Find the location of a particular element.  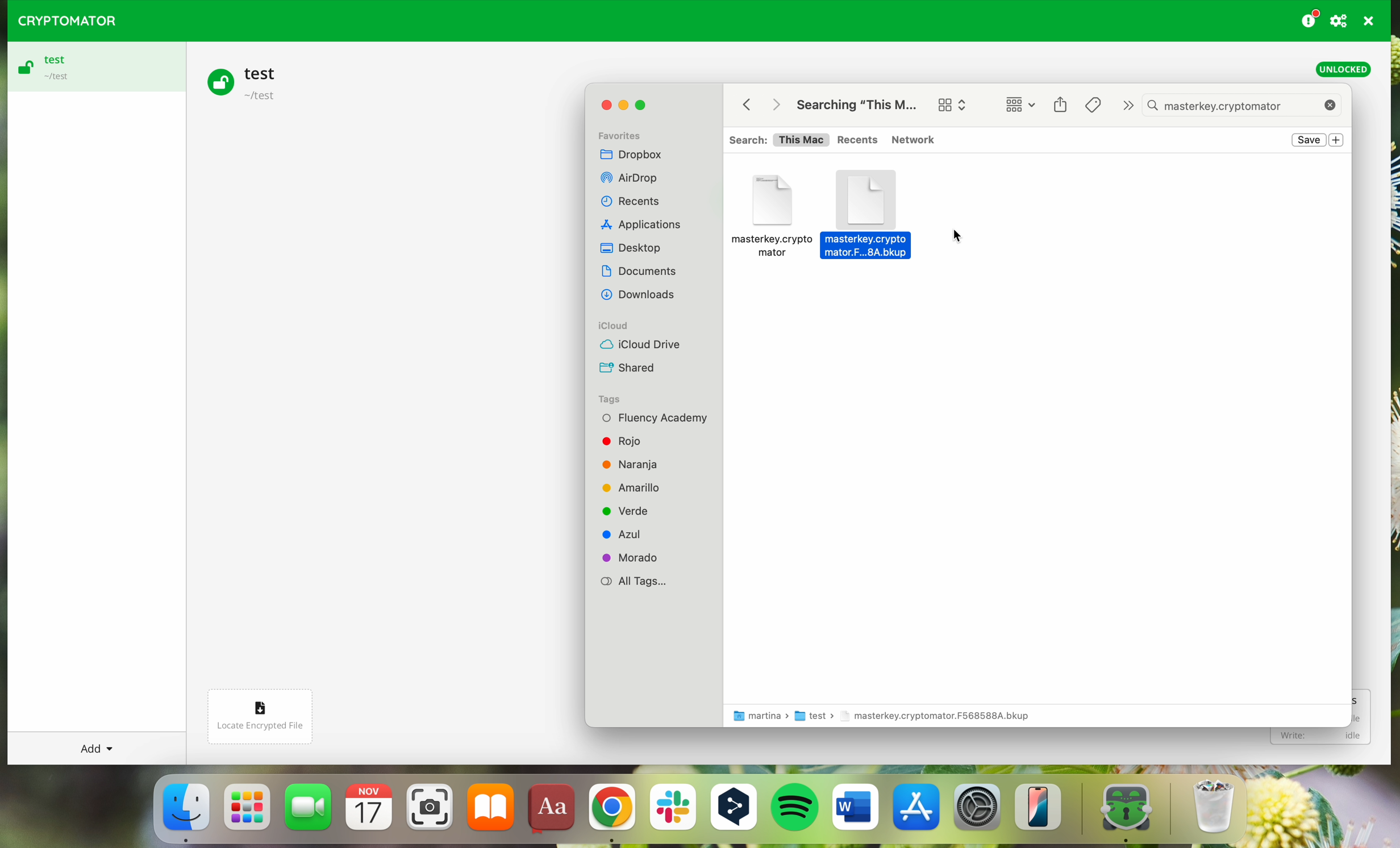

masterkey.cryptomator is located at coordinates (1245, 106).